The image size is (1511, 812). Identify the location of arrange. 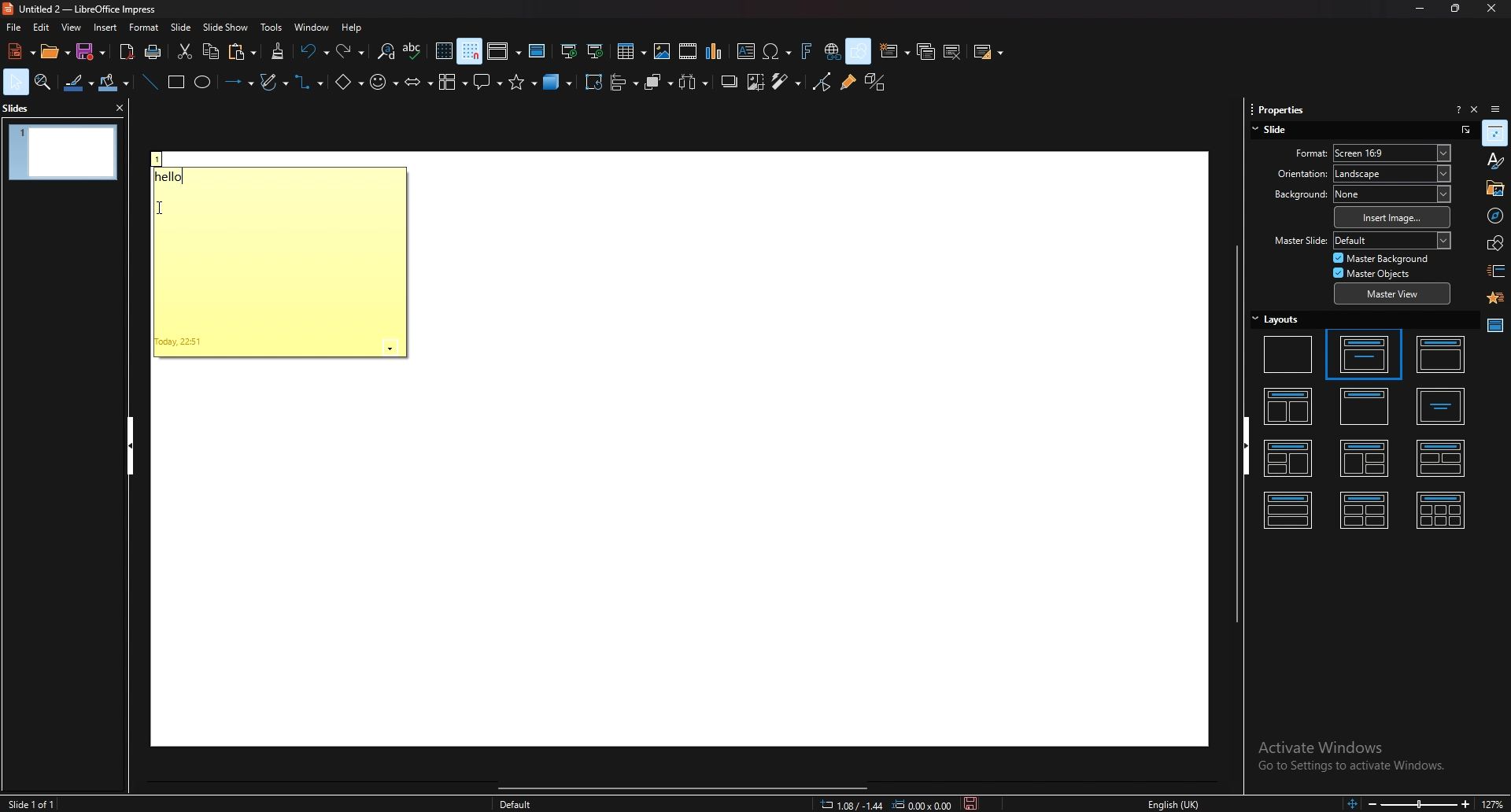
(659, 81).